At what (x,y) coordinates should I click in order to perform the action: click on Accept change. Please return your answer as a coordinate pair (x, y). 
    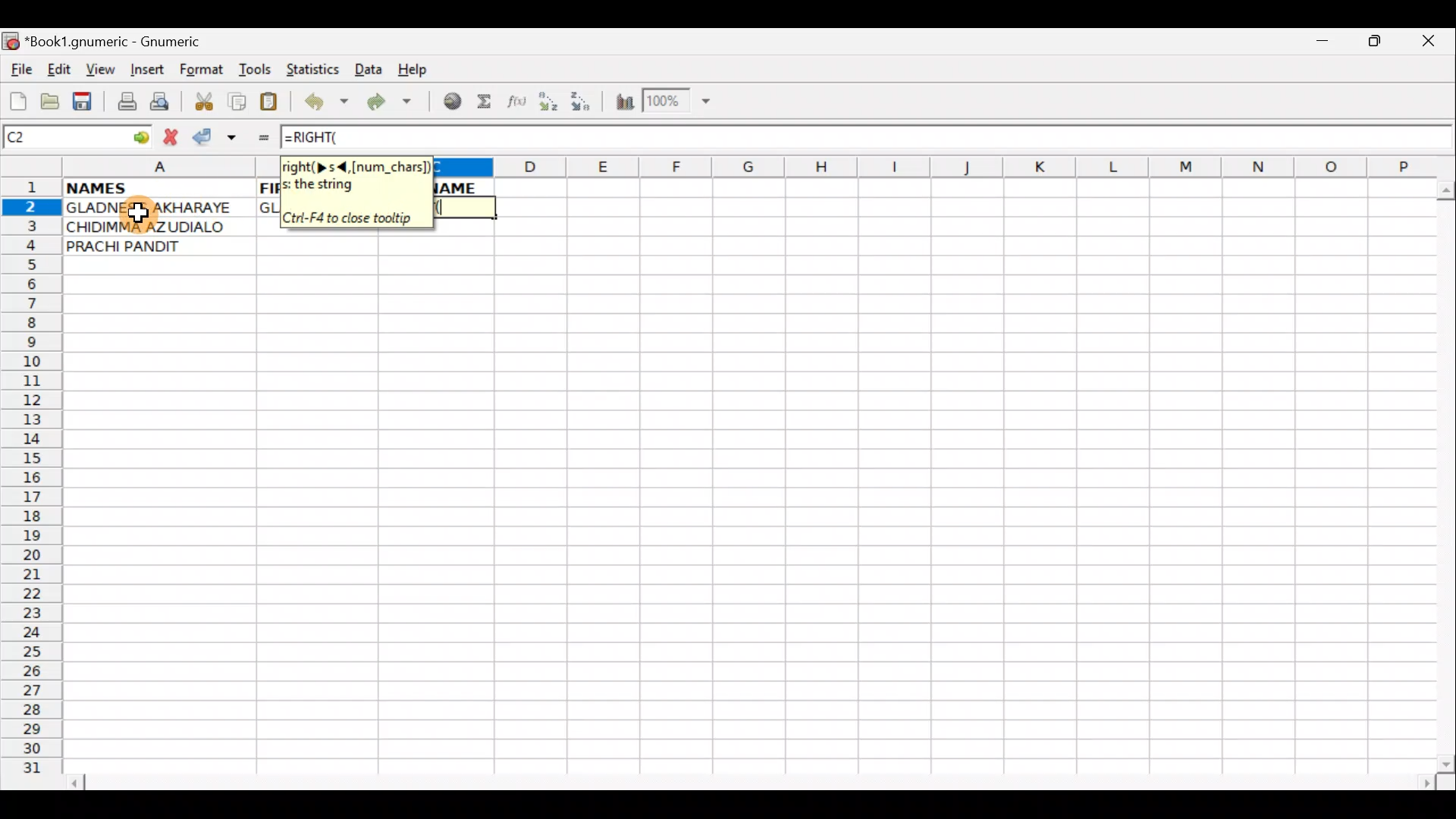
    Looking at the image, I should click on (215, 137).